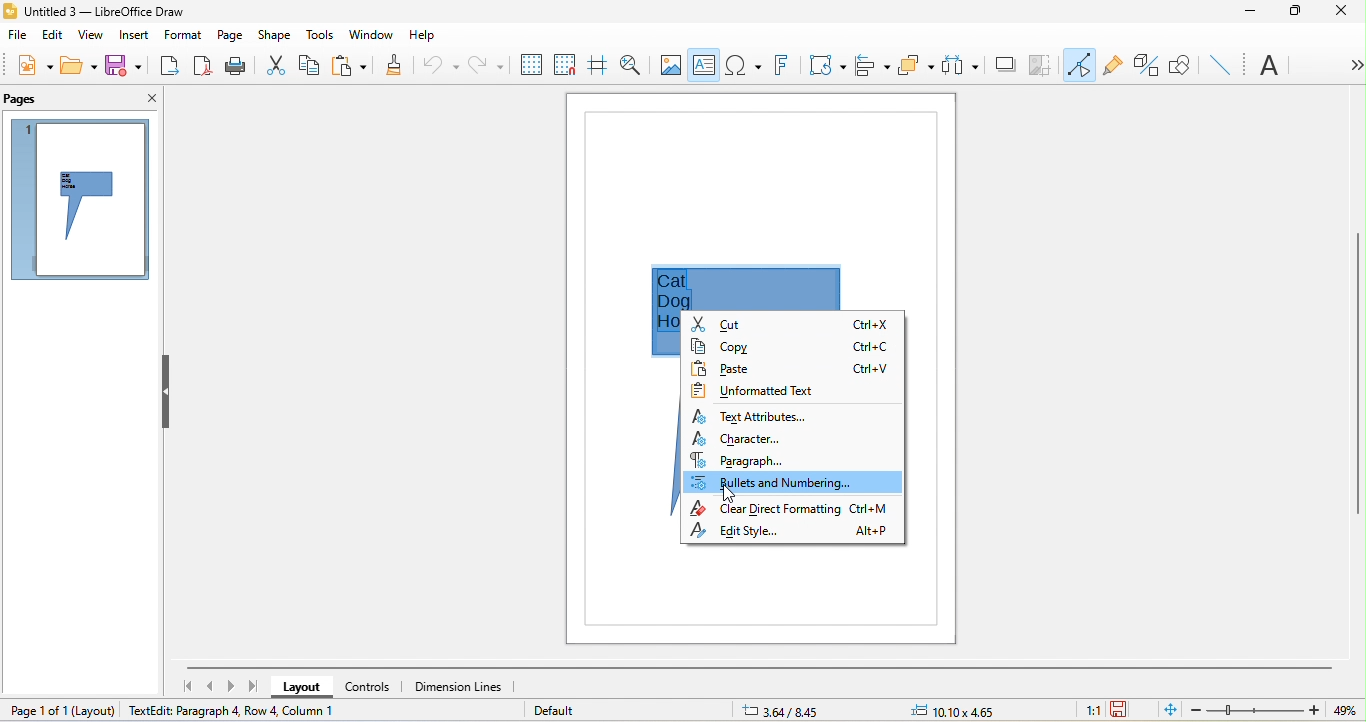 The width and height of the screenshot is (1366, 722). Describe the element at coordinates (1295, 12) in the screenshot. I see `maximize` at that location.